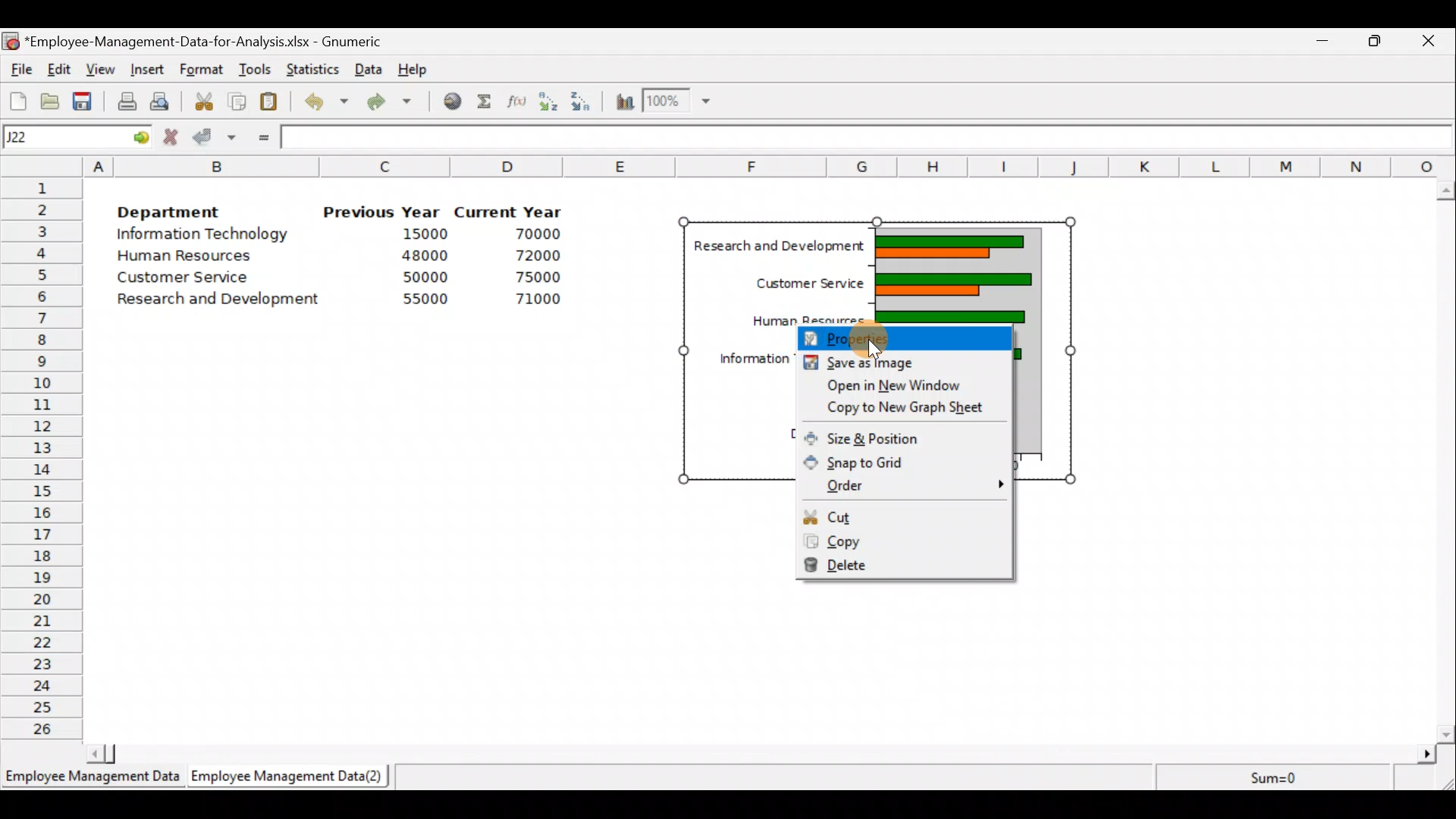 This screenshot has height=819, width=1456. What do you see at coordinates (172, 137) in the screenshot?
I see `Cancel change` at bounding box center [172, 137].